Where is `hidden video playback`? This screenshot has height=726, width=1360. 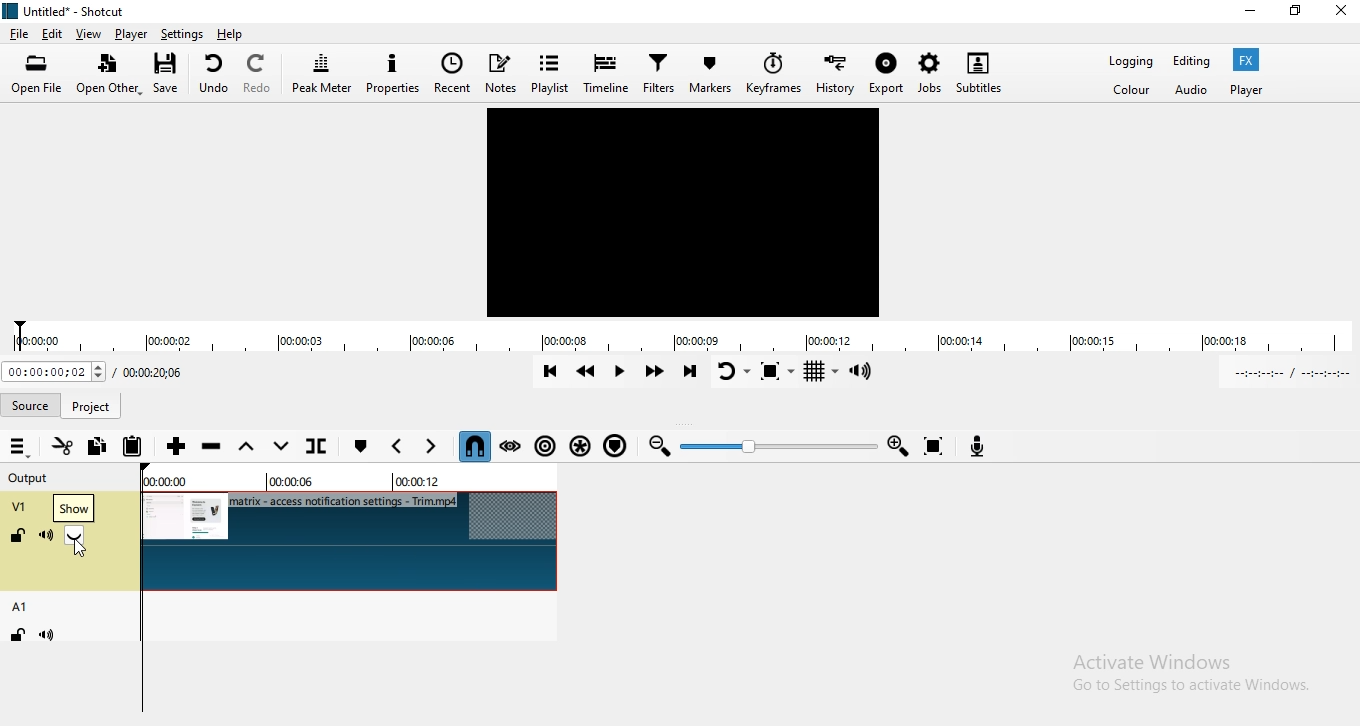 hidden video playback is located at coordinates (683, 214).